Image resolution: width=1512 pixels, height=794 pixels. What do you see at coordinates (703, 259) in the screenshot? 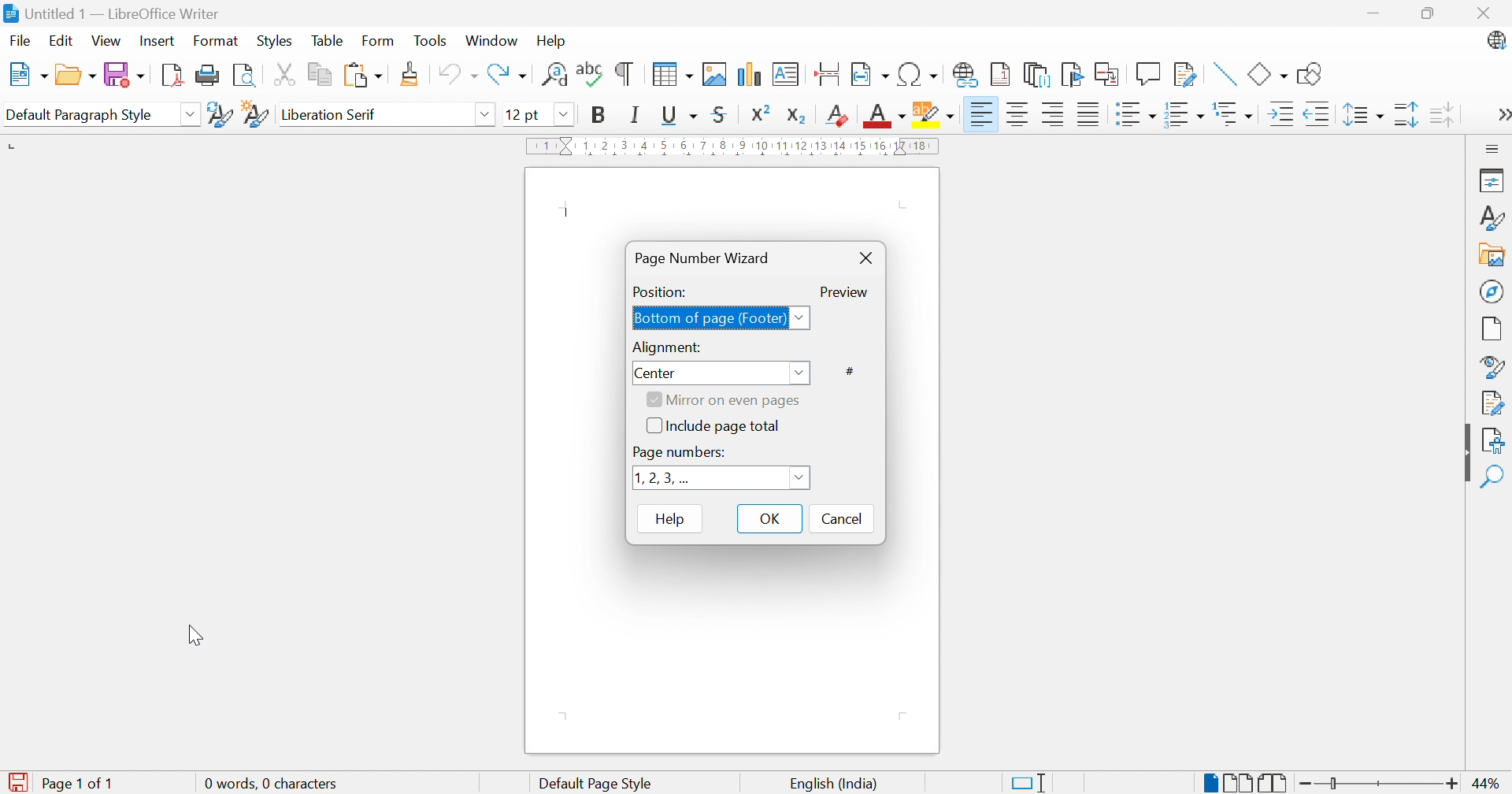
I see `Page number wizard` at bounding box center [703, 259].